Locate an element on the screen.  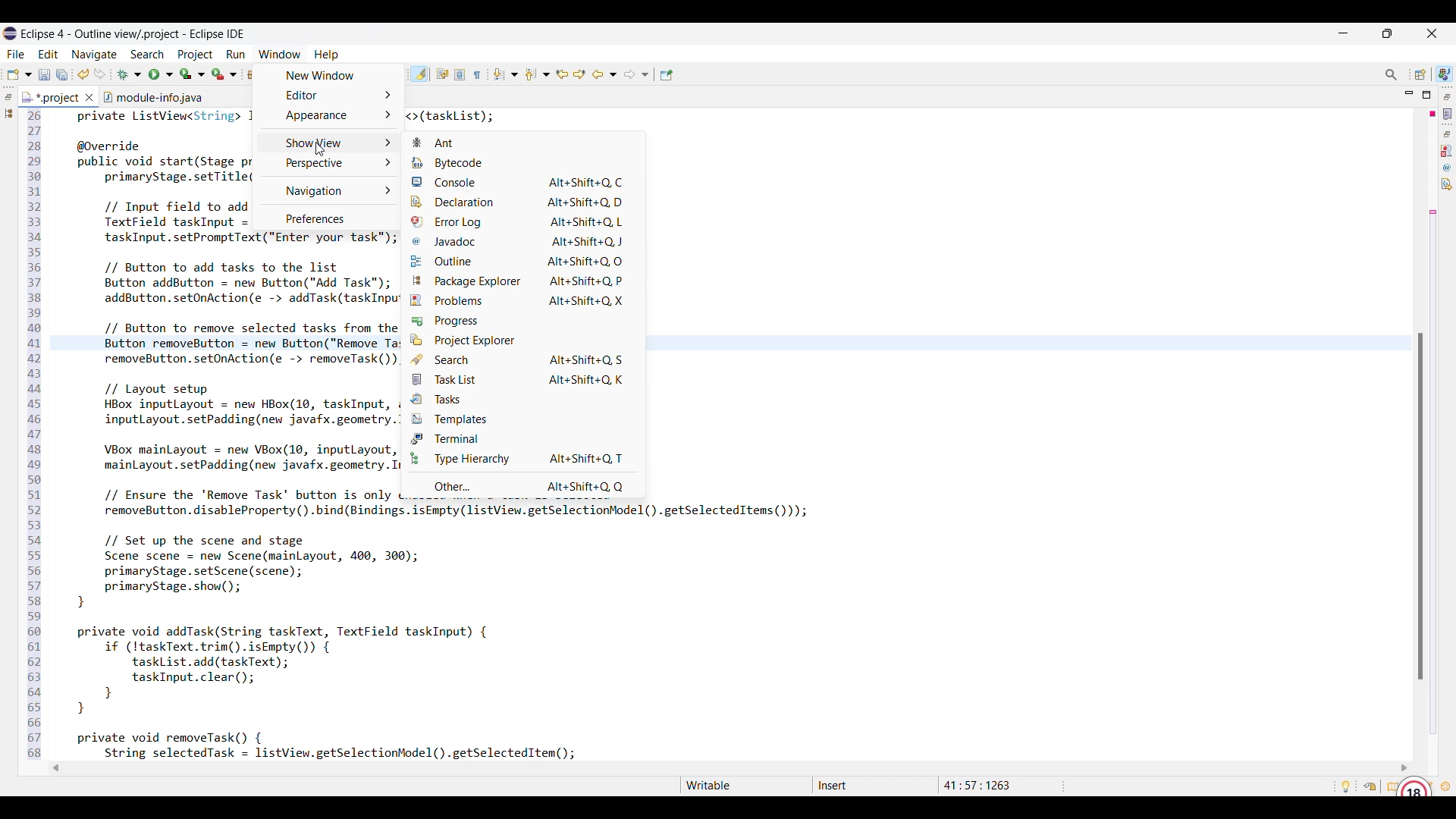
Other tab is located at coordinates (152, 96).